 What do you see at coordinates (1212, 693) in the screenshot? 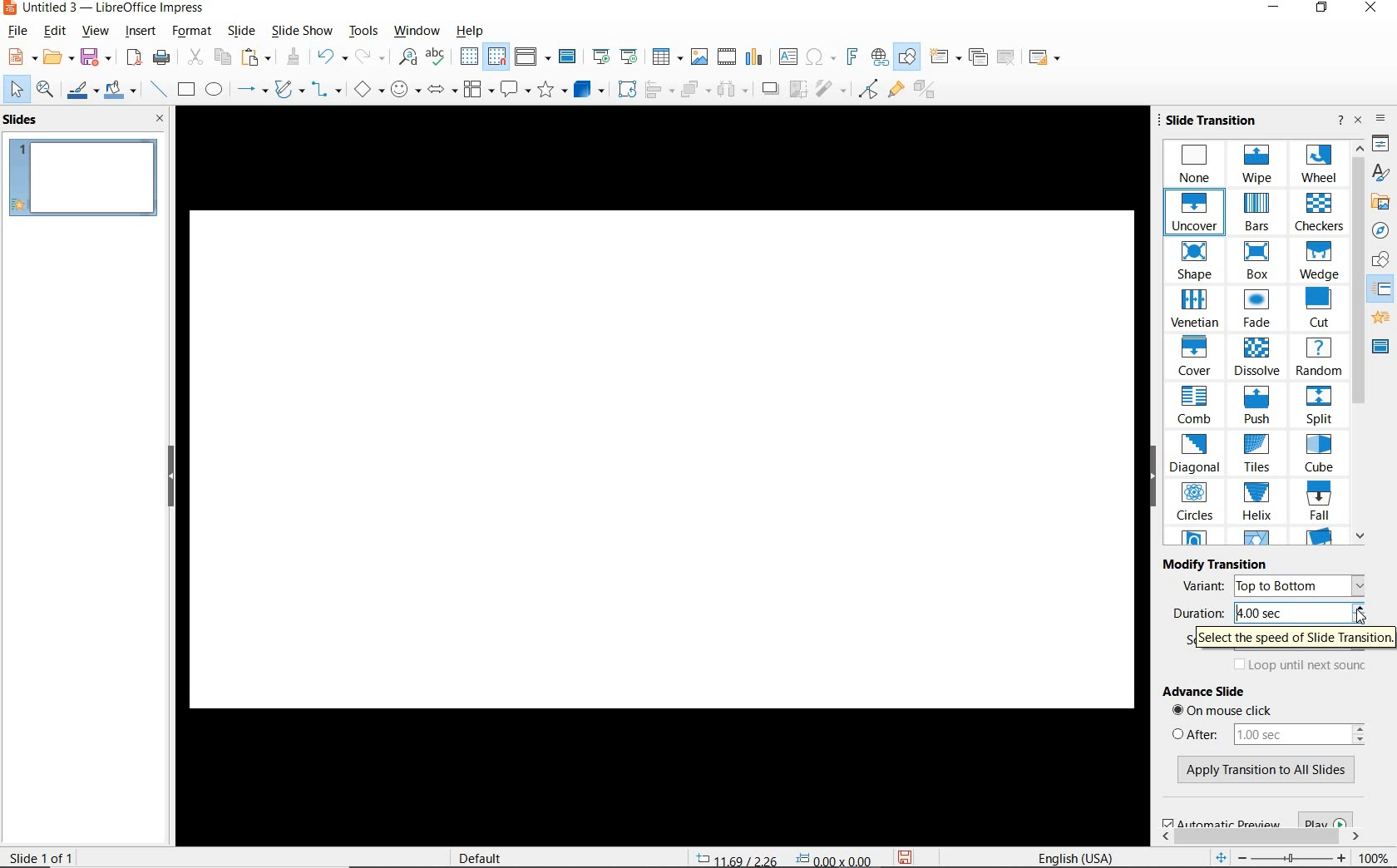
I see `ADVANCE SLIDE` at bounding box center [1212, 693].